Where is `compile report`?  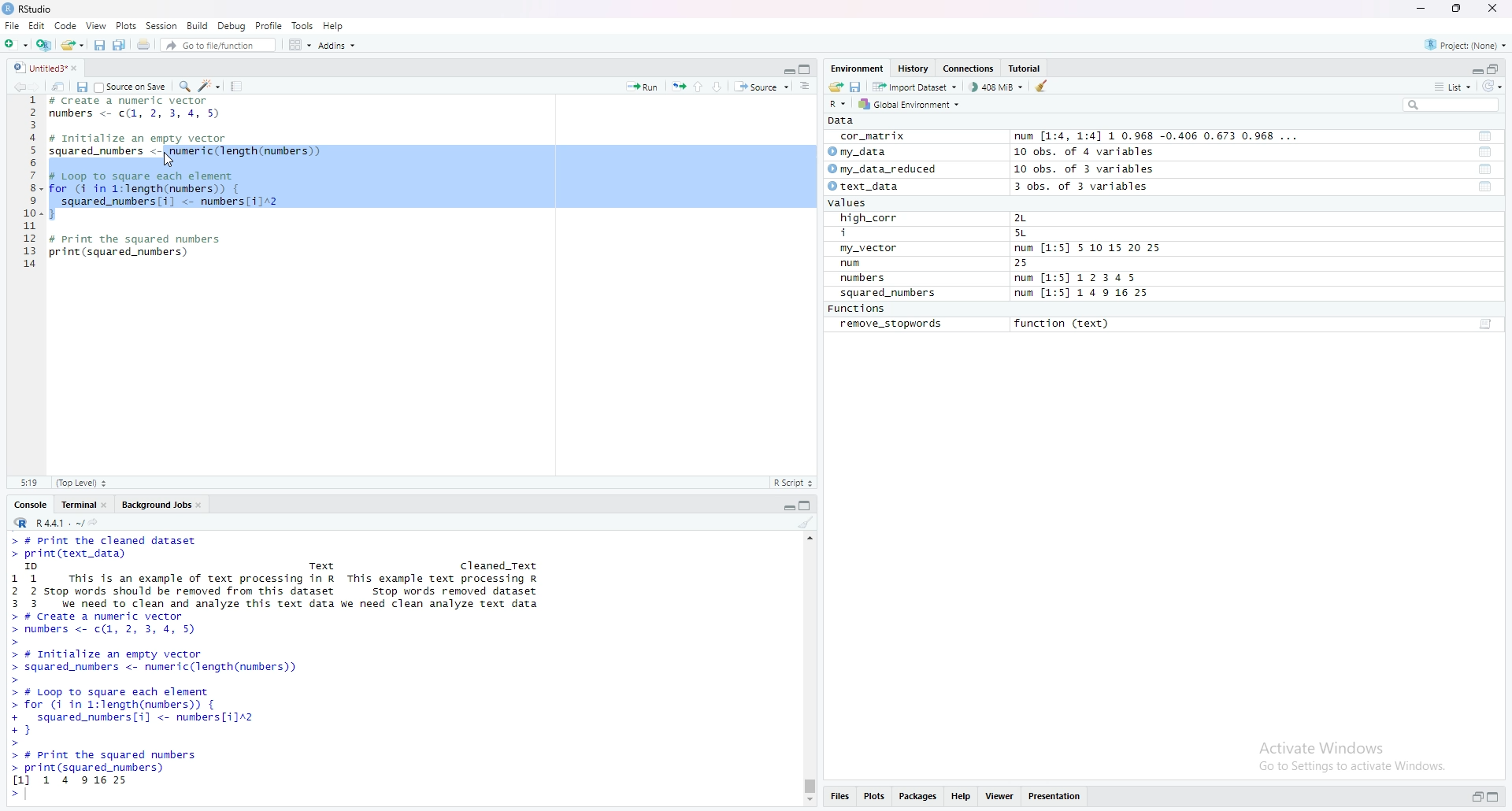 compile report is located at coordinates (236, 86).